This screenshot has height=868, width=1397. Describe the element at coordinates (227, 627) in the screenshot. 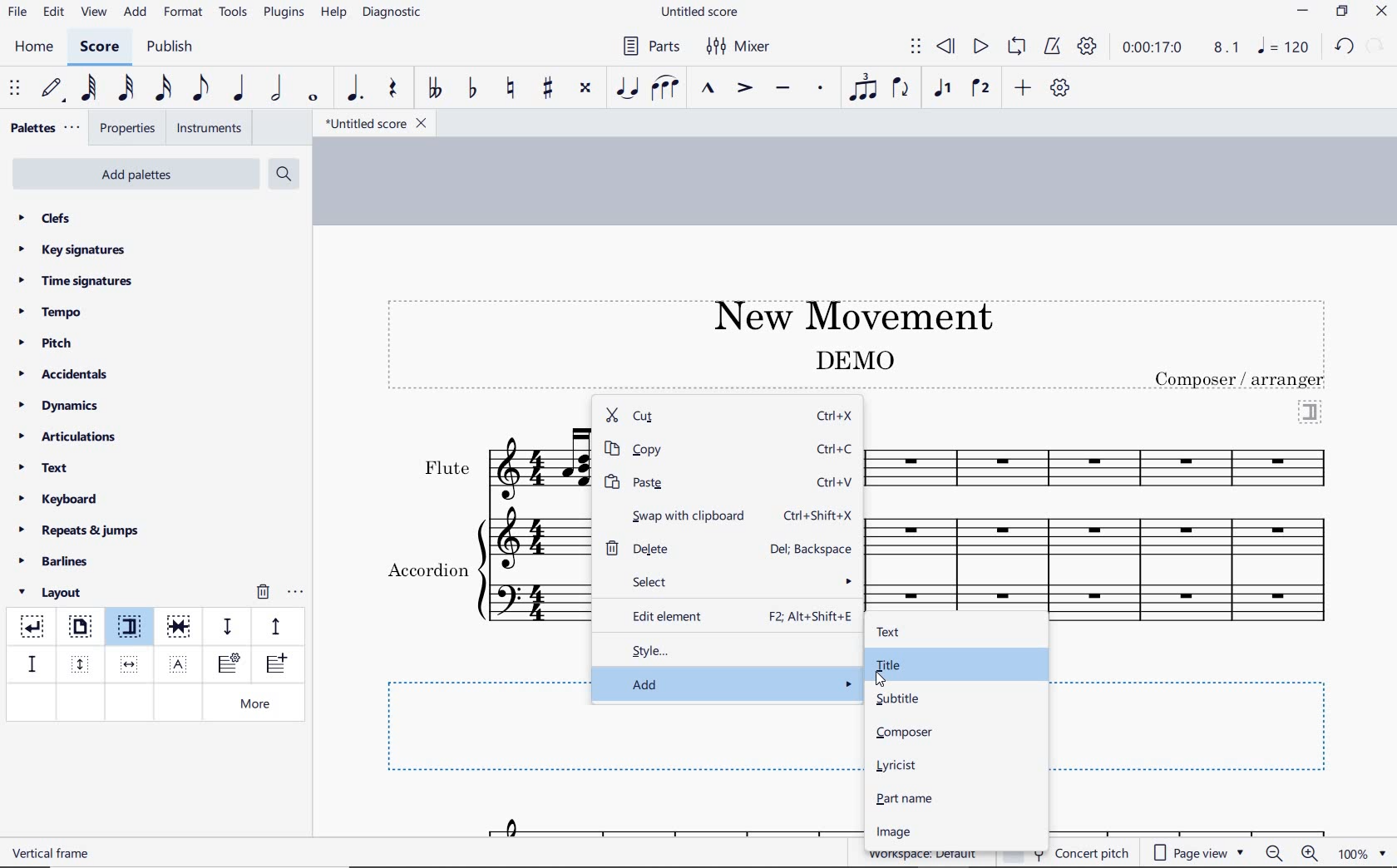

I see `staff spacer sown` at that location.